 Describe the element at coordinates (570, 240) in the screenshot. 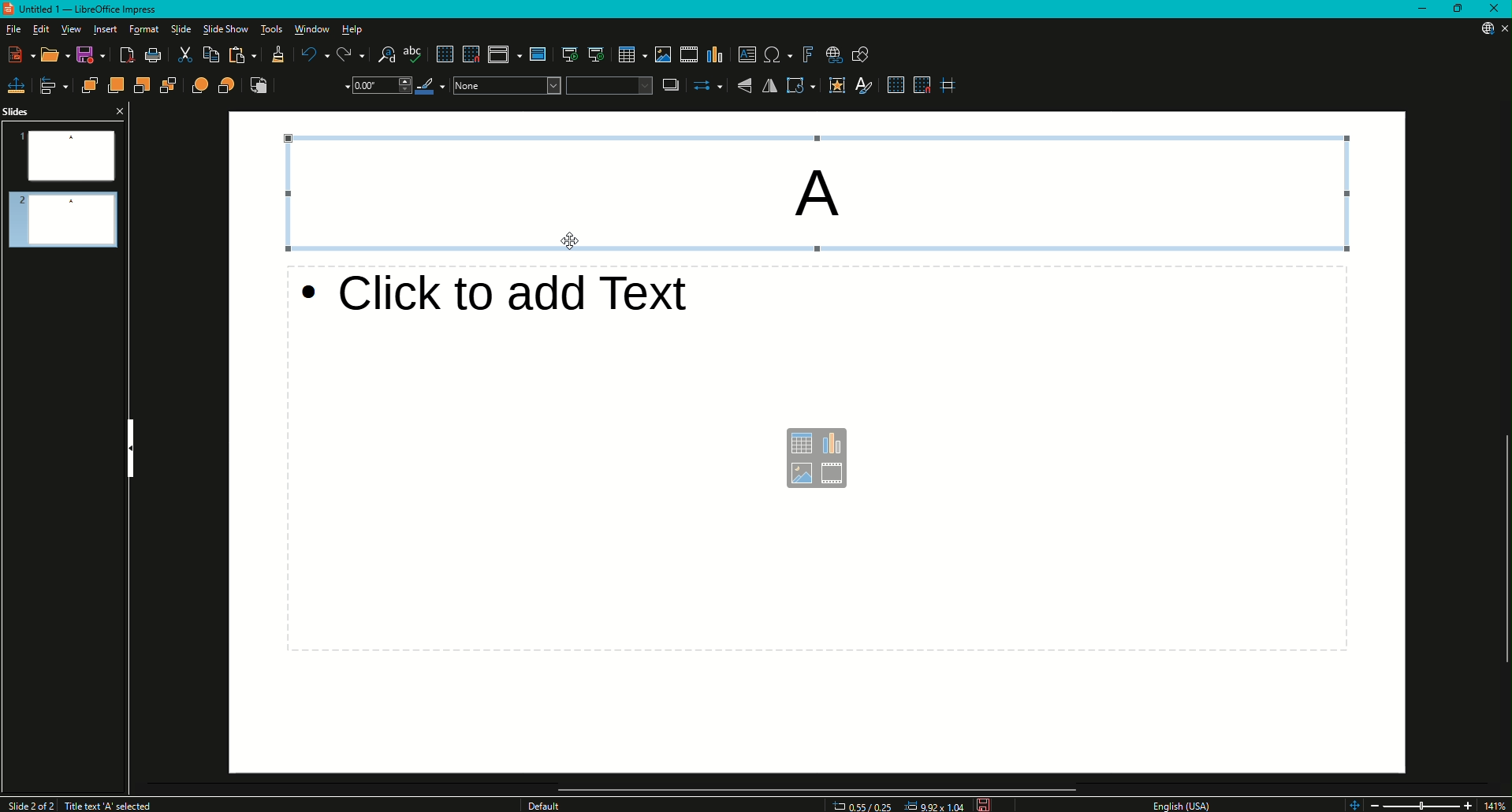

I see `Cursor` at that location.